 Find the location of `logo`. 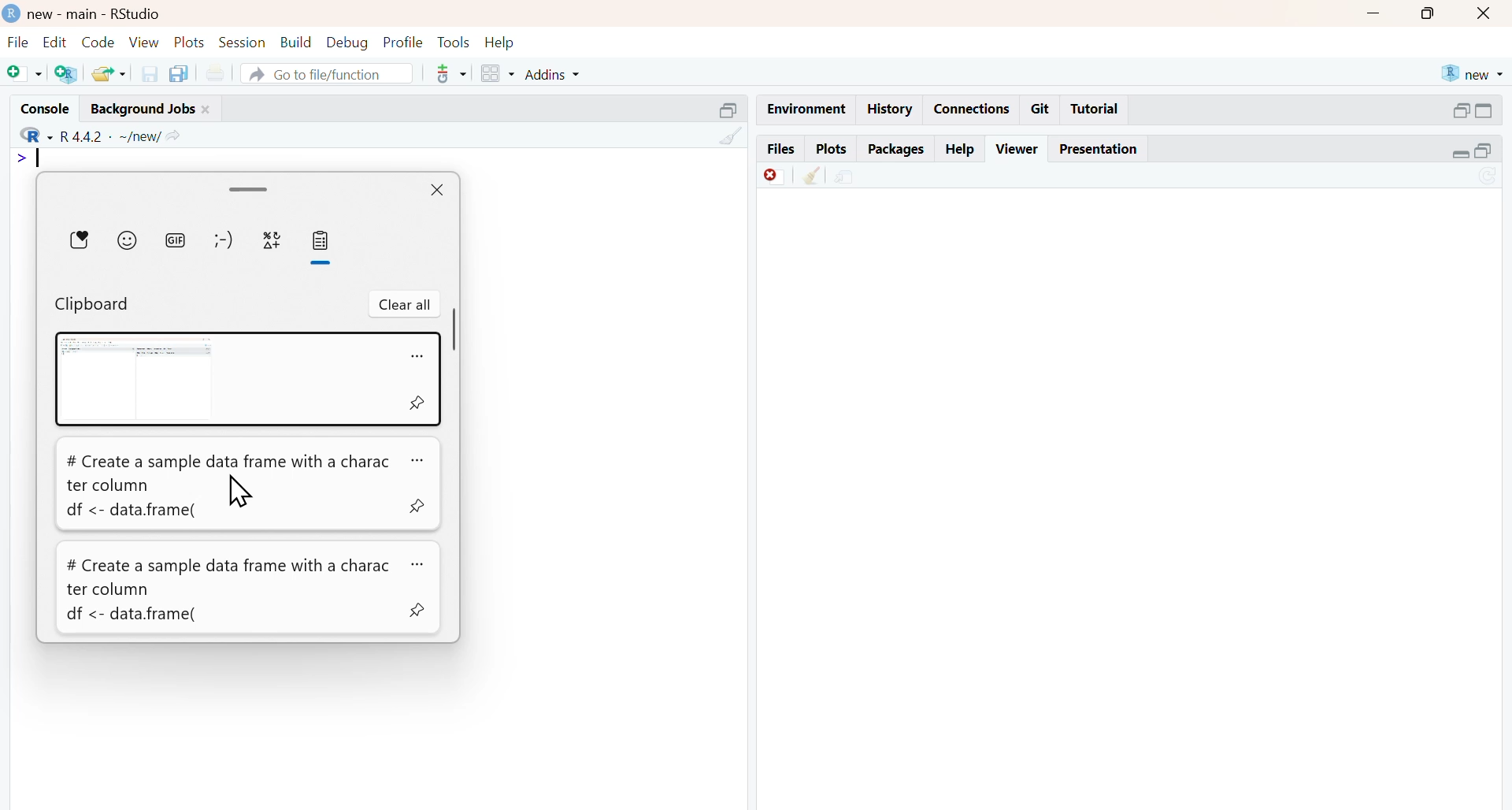

logo is located at coordinates (13, 13).